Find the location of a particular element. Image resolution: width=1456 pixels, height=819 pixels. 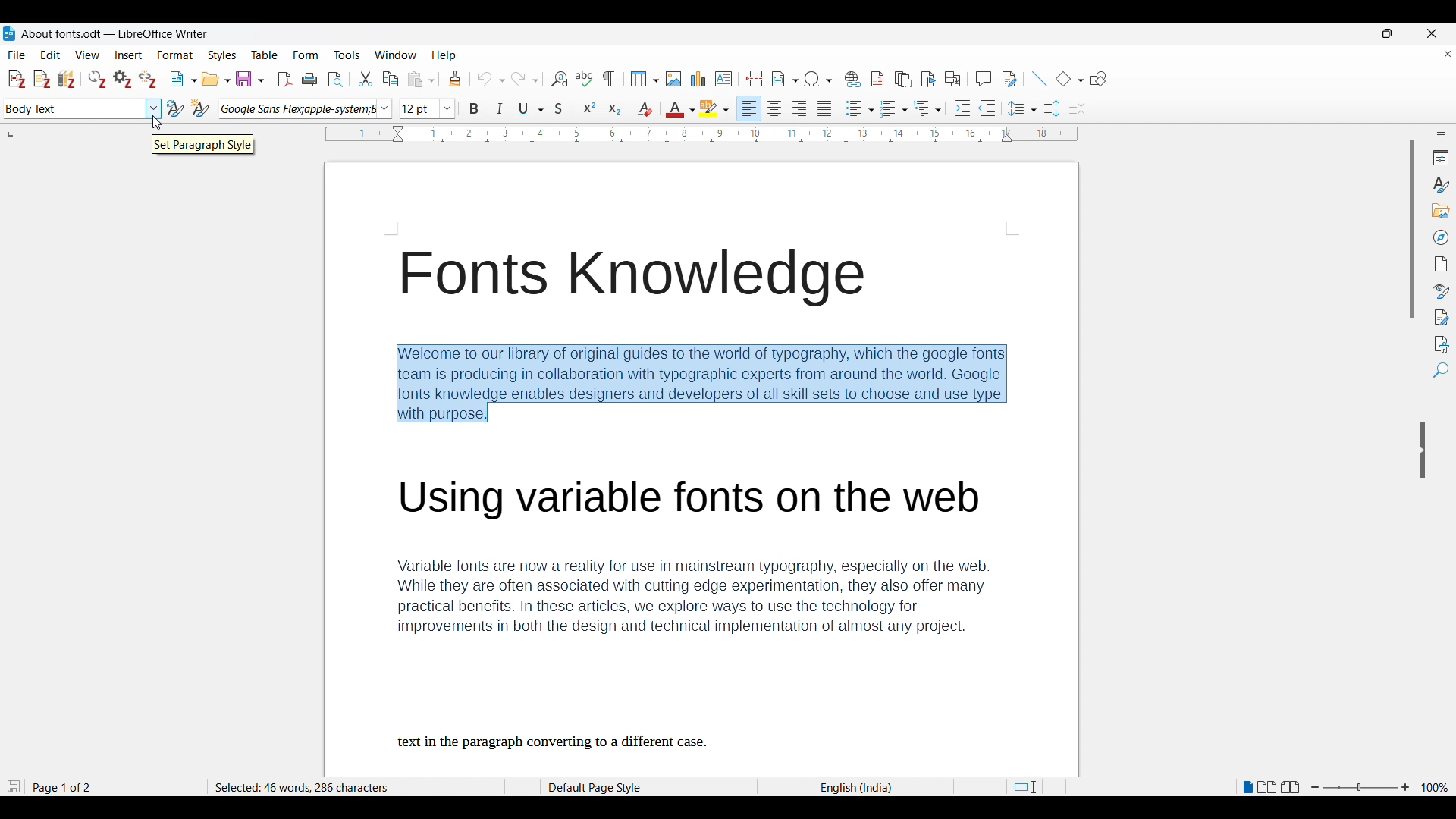

Centre alignment is located at coordinates (774, 108).